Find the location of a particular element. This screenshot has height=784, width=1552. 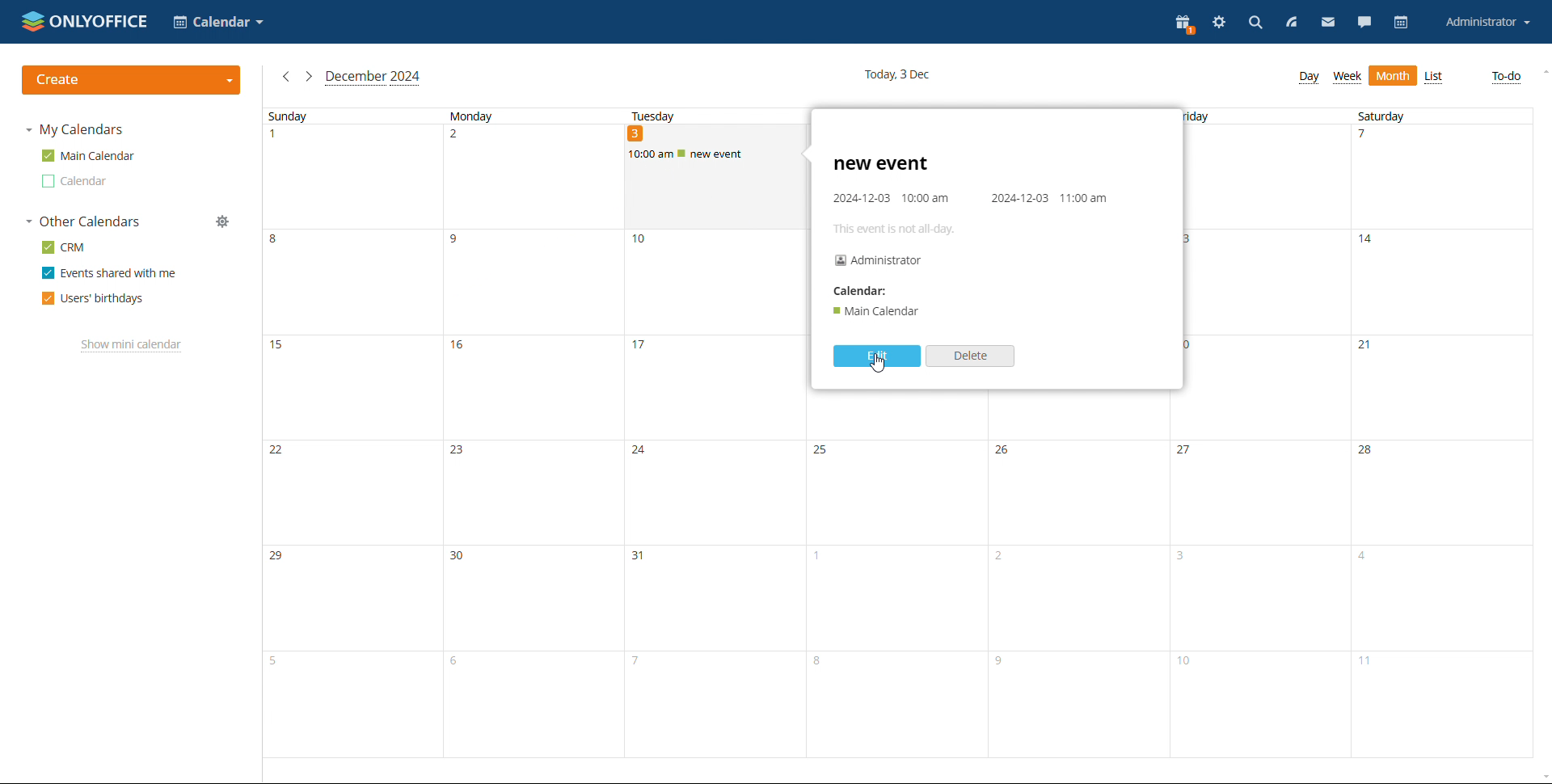

other calendars is located at coordinates (84, 221).